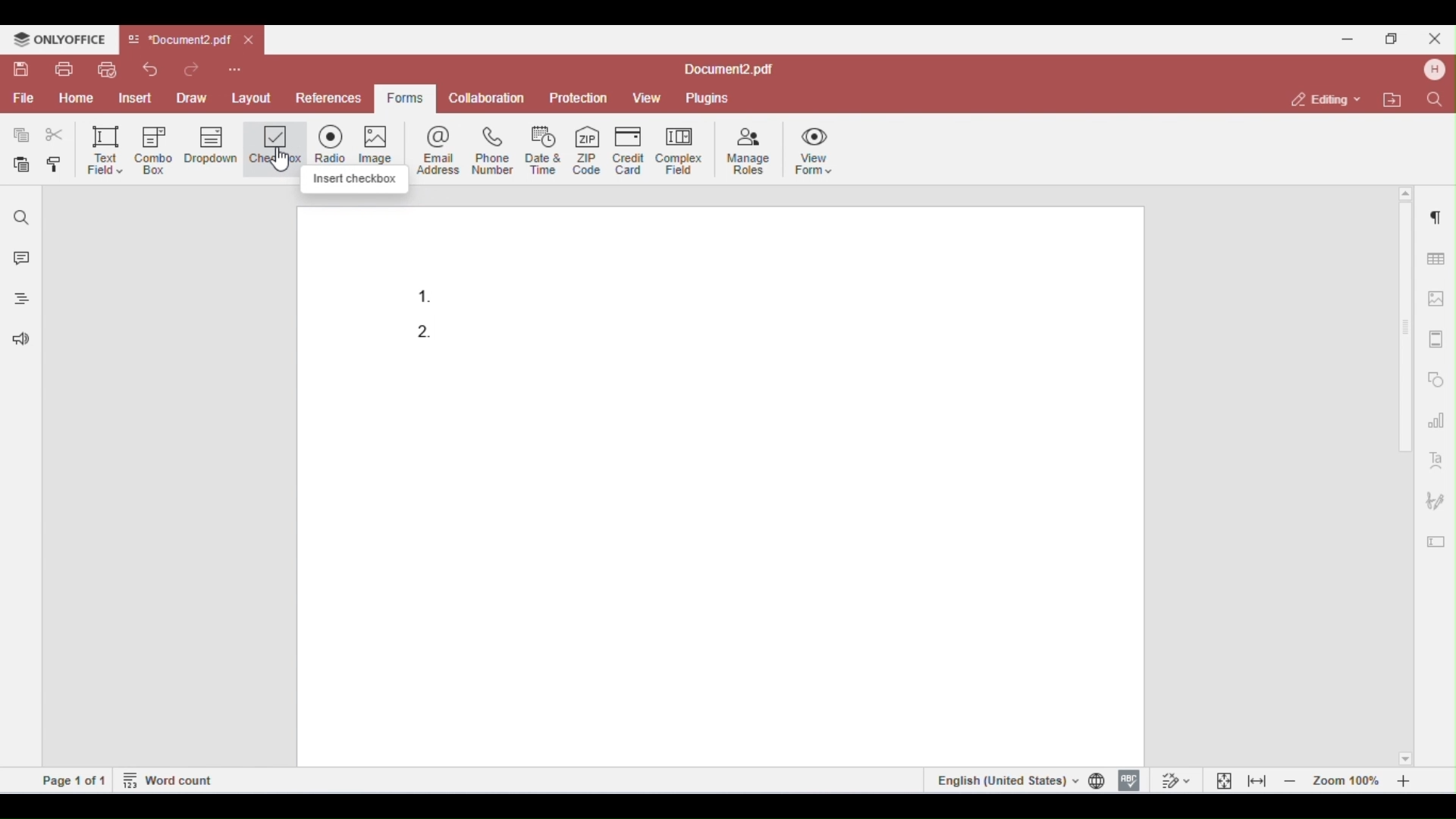 The width and height of the screenshot is (1456, 819). I want to click on spelling, so click(1129, 779).